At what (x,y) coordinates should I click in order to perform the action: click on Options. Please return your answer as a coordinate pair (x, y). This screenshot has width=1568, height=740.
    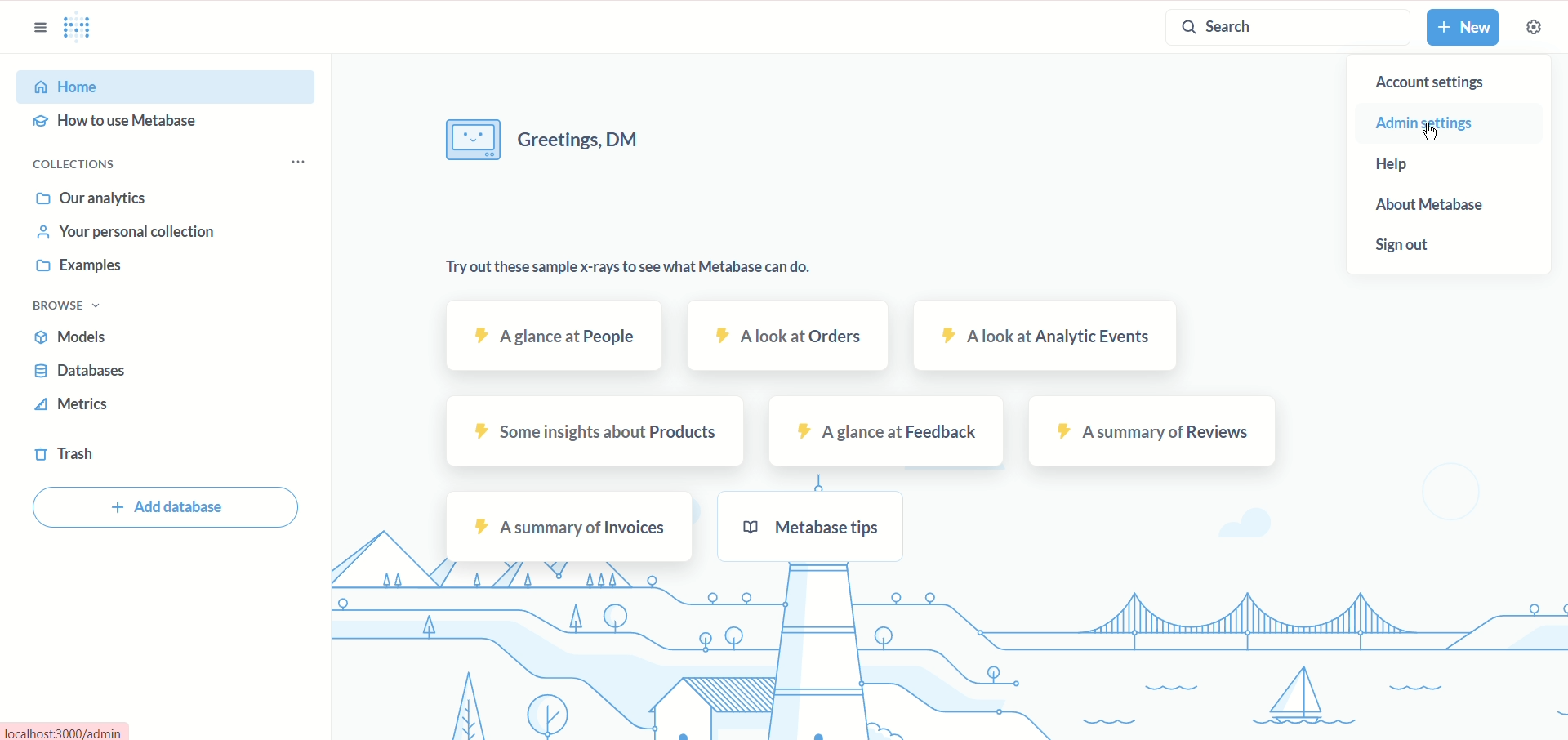
    Looking at the image, I should click on (300, 166).